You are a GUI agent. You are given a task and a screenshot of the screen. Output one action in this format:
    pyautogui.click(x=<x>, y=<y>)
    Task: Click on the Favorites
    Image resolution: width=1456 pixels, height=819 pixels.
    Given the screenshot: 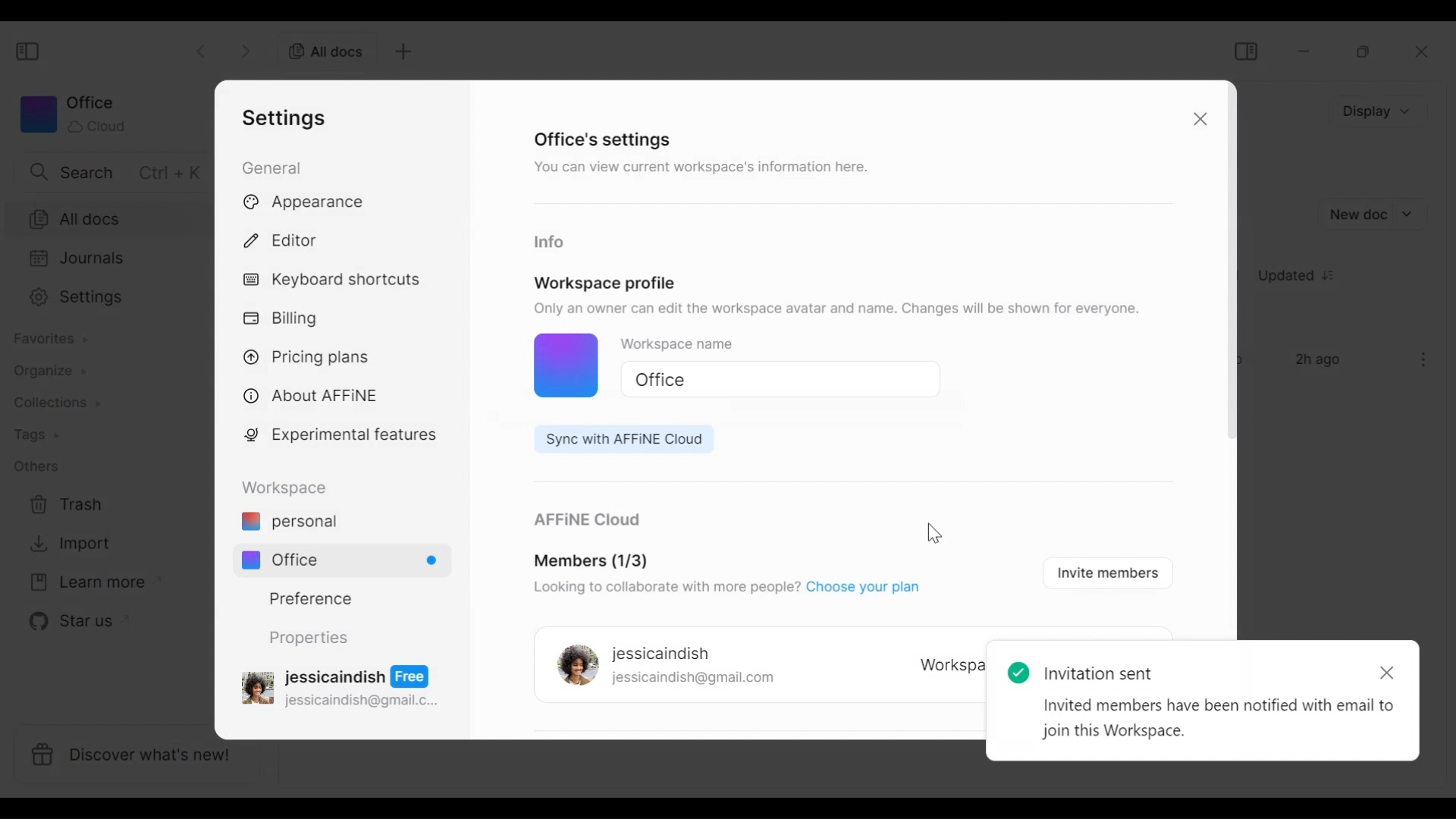 What is the action you would take?
    pyautogui.click(x=49, y=339)
    